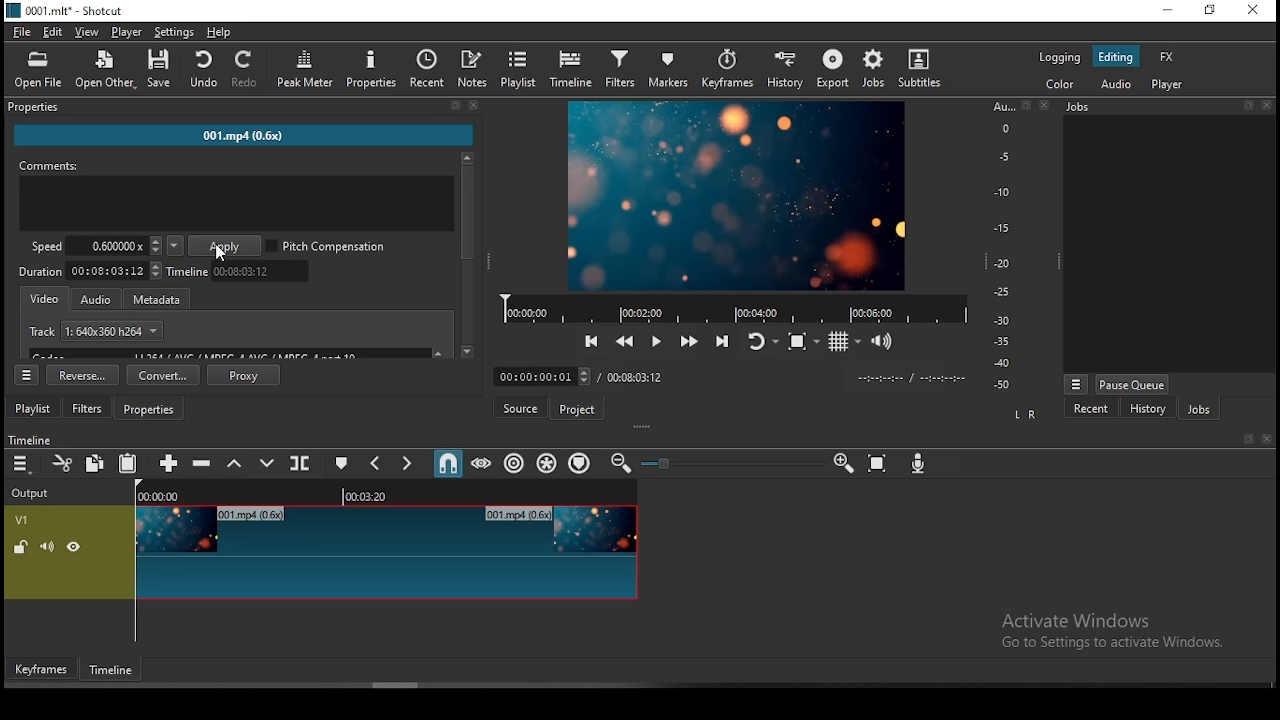  I want to click on filters, so click(87, 407).